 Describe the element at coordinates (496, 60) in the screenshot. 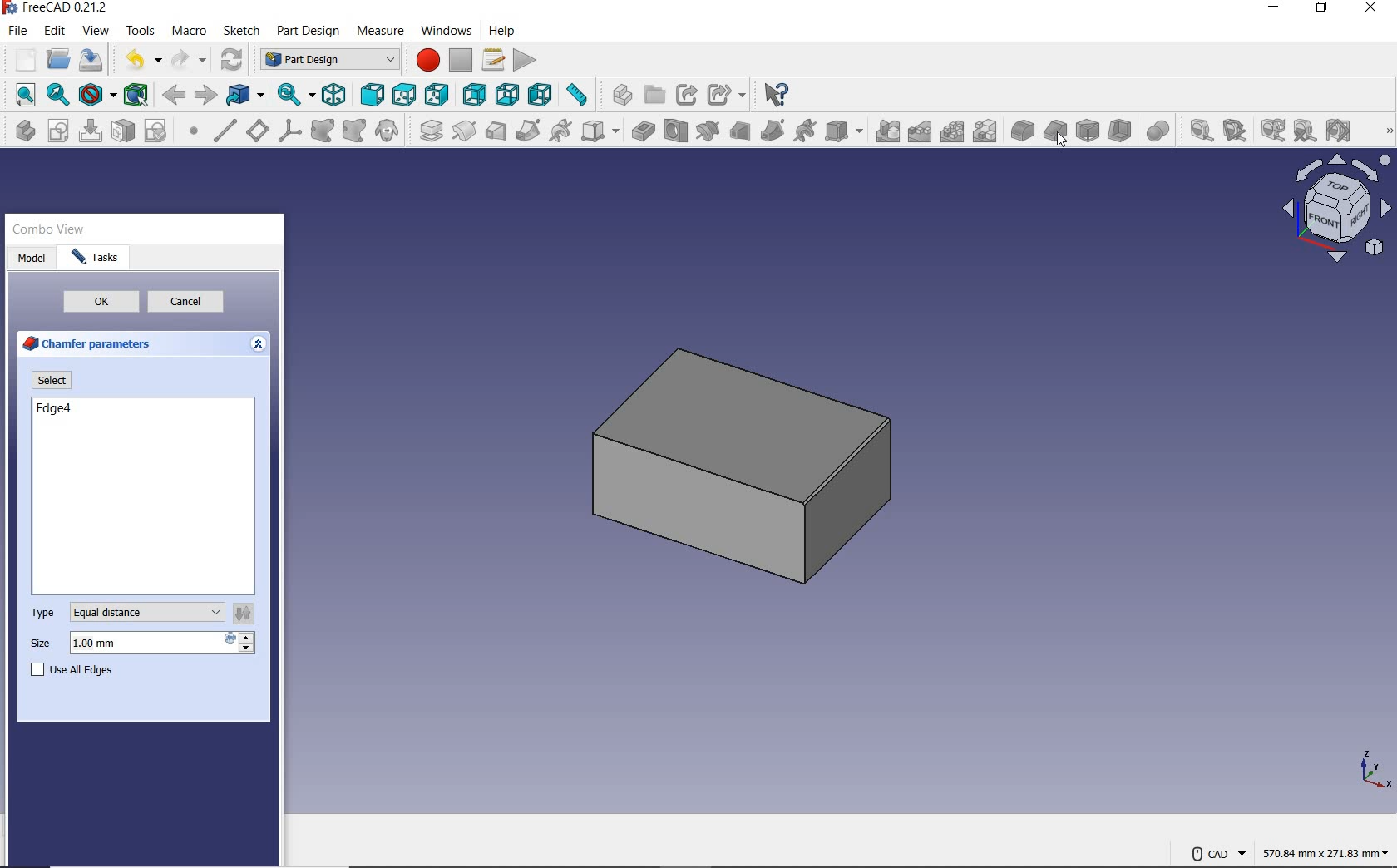

I see `macros` at that location.